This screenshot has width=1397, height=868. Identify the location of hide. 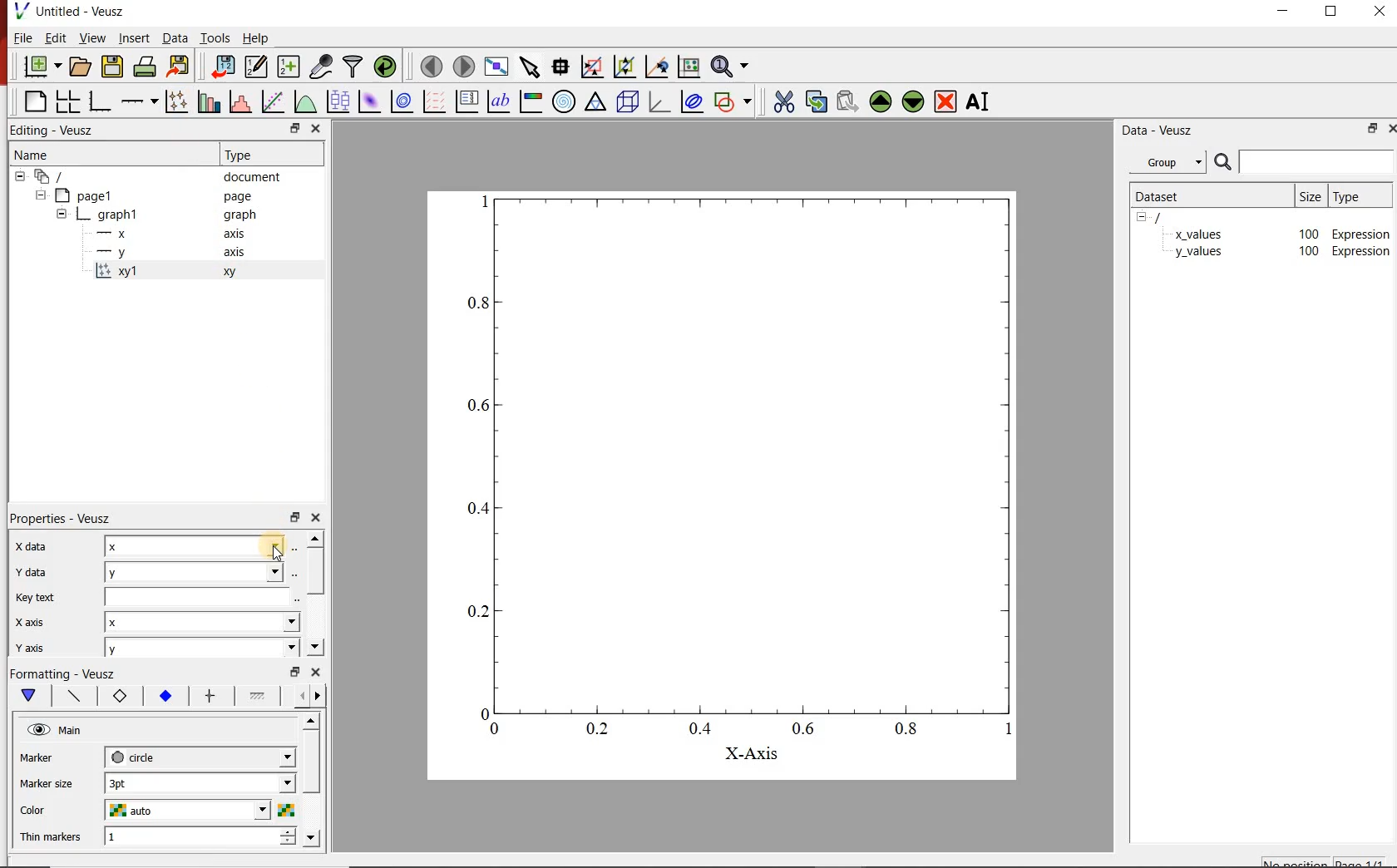
(40, 195).